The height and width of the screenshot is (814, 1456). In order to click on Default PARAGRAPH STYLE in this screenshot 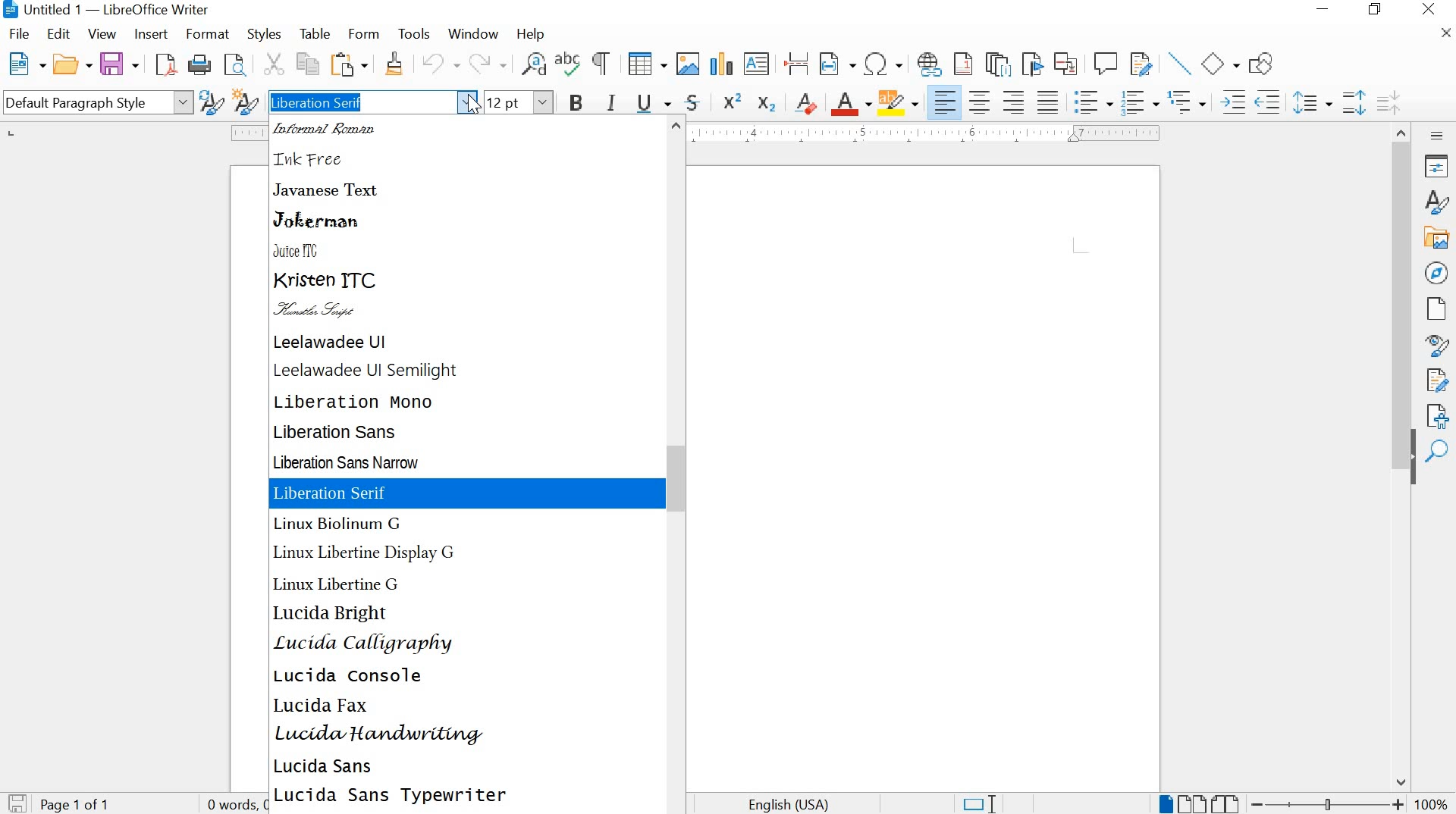, I will do `click(95, 102)`.